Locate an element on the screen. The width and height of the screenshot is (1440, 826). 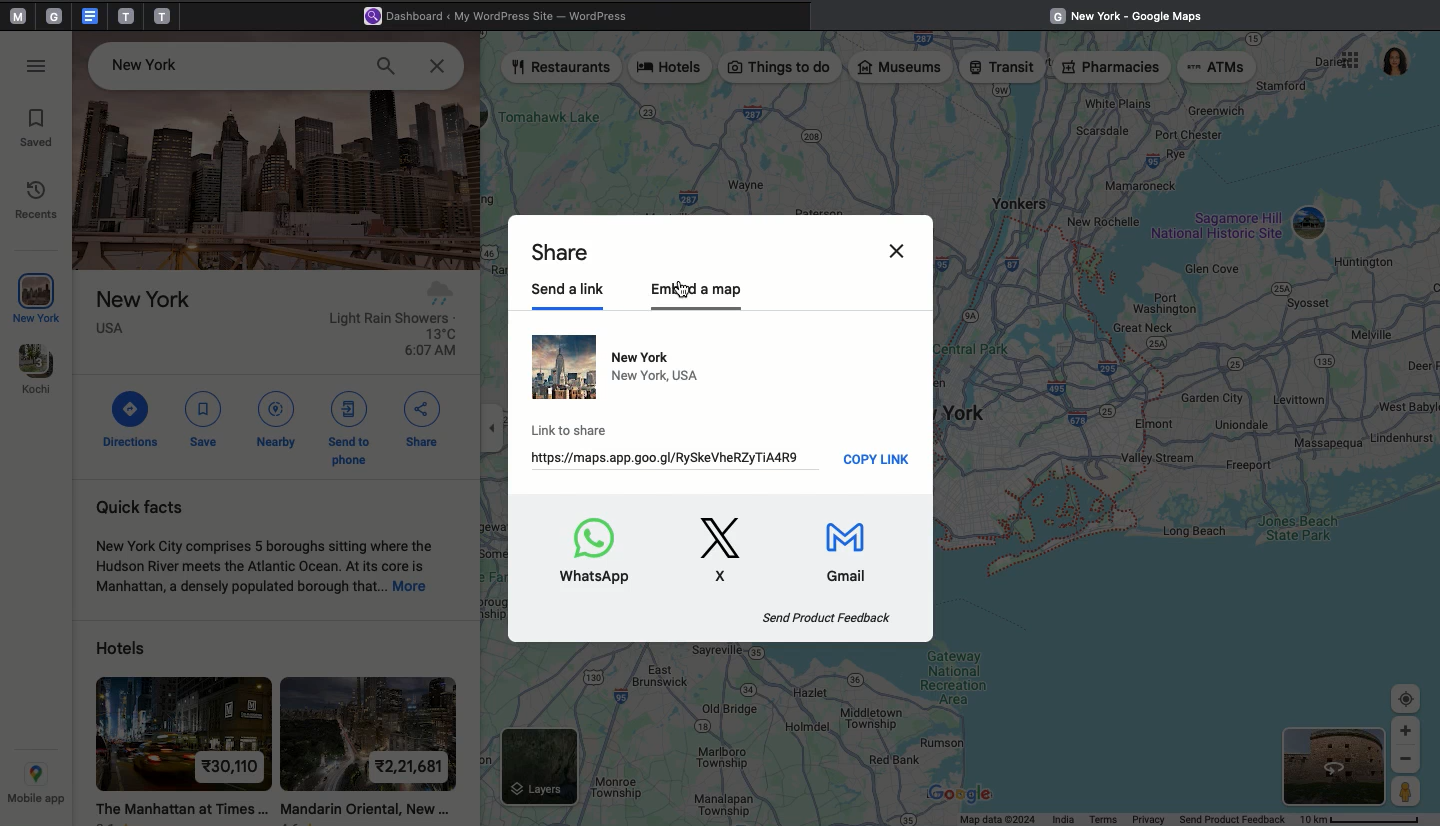
Satelite is located at coordinates (1335, 766).